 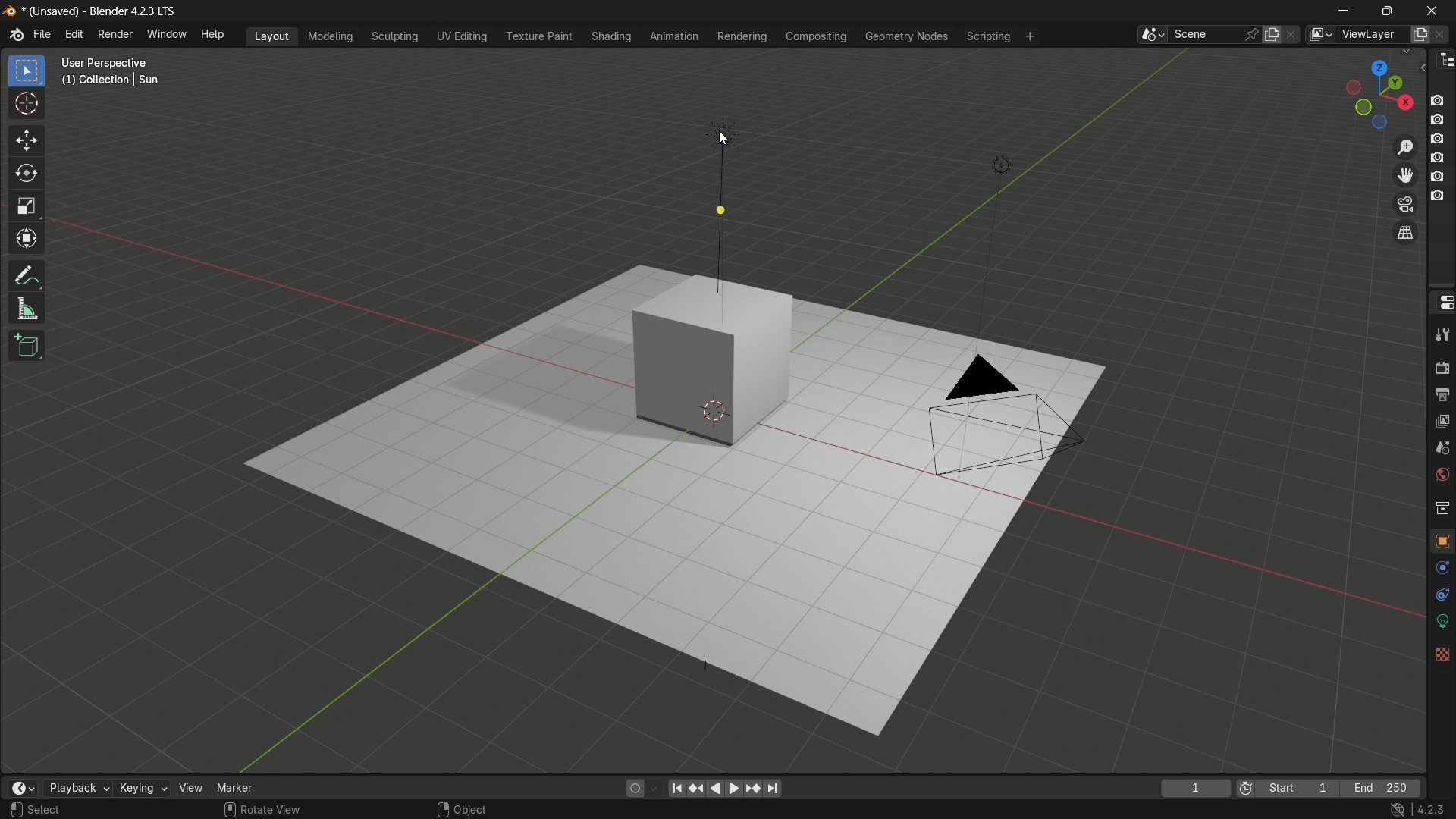 I want to click on texture paint, so click(x=535, y=36).